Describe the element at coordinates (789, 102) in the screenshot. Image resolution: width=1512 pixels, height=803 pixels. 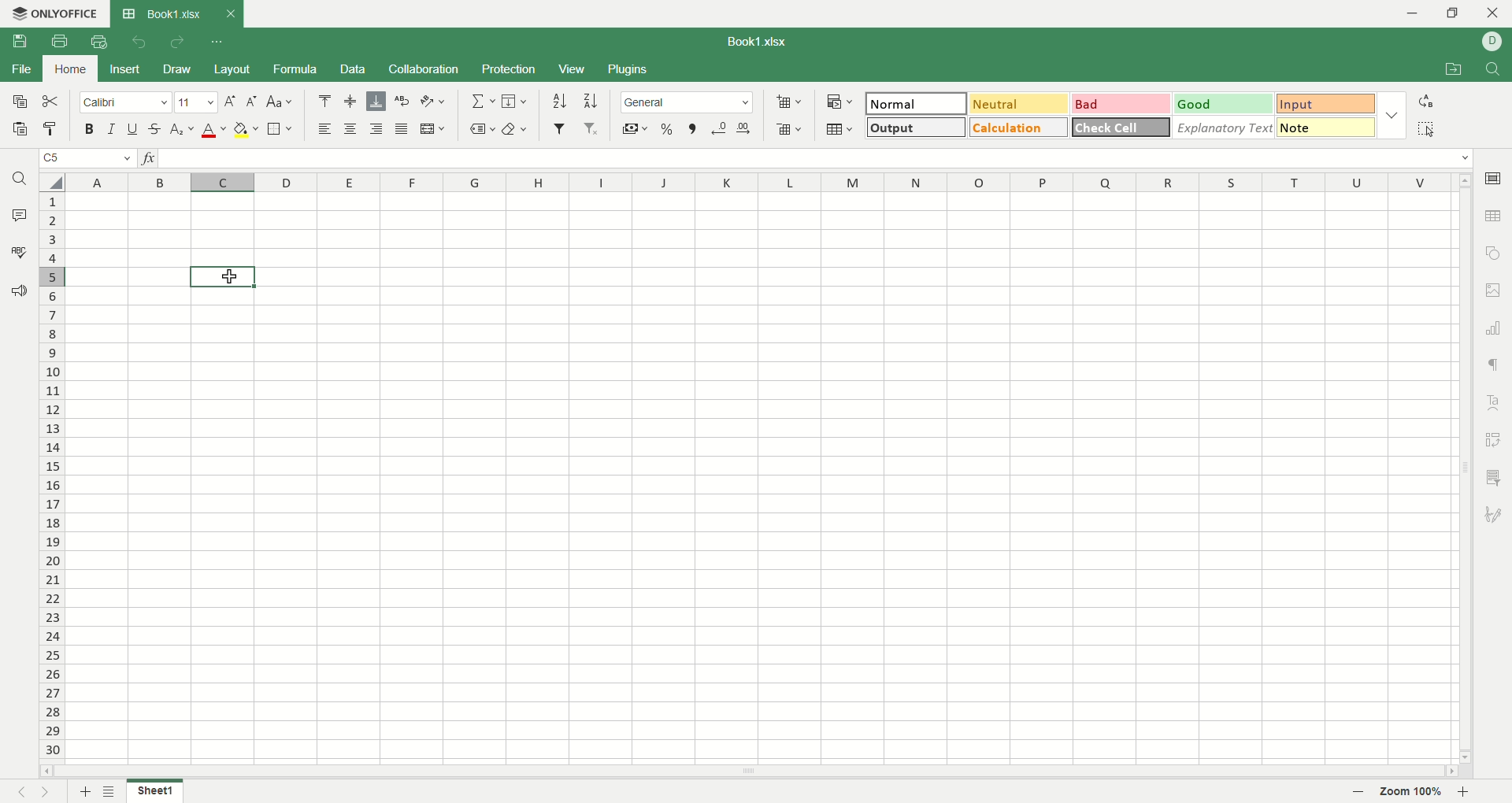
I see `add cell` at that location.